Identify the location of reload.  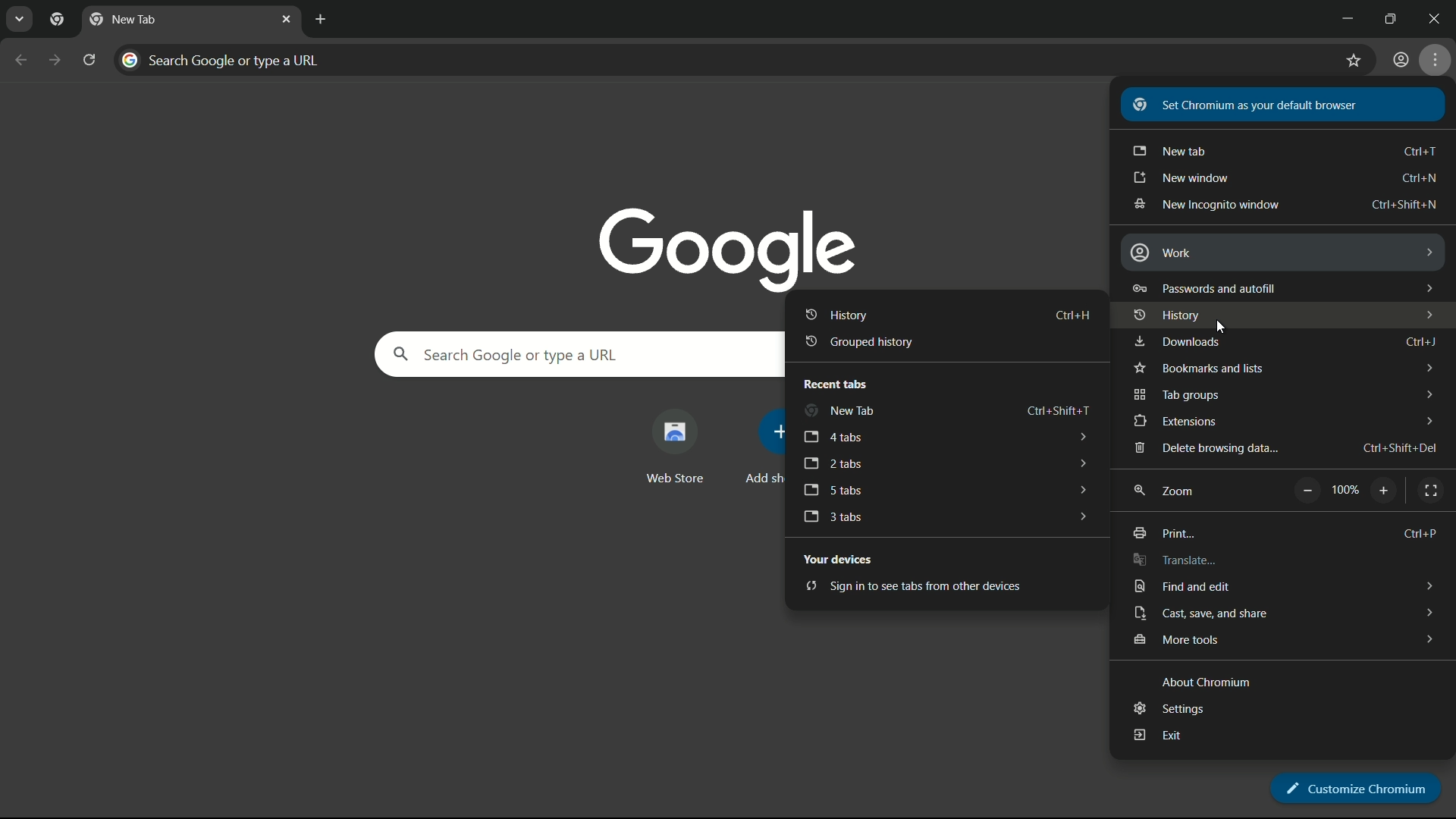
(89, 59).